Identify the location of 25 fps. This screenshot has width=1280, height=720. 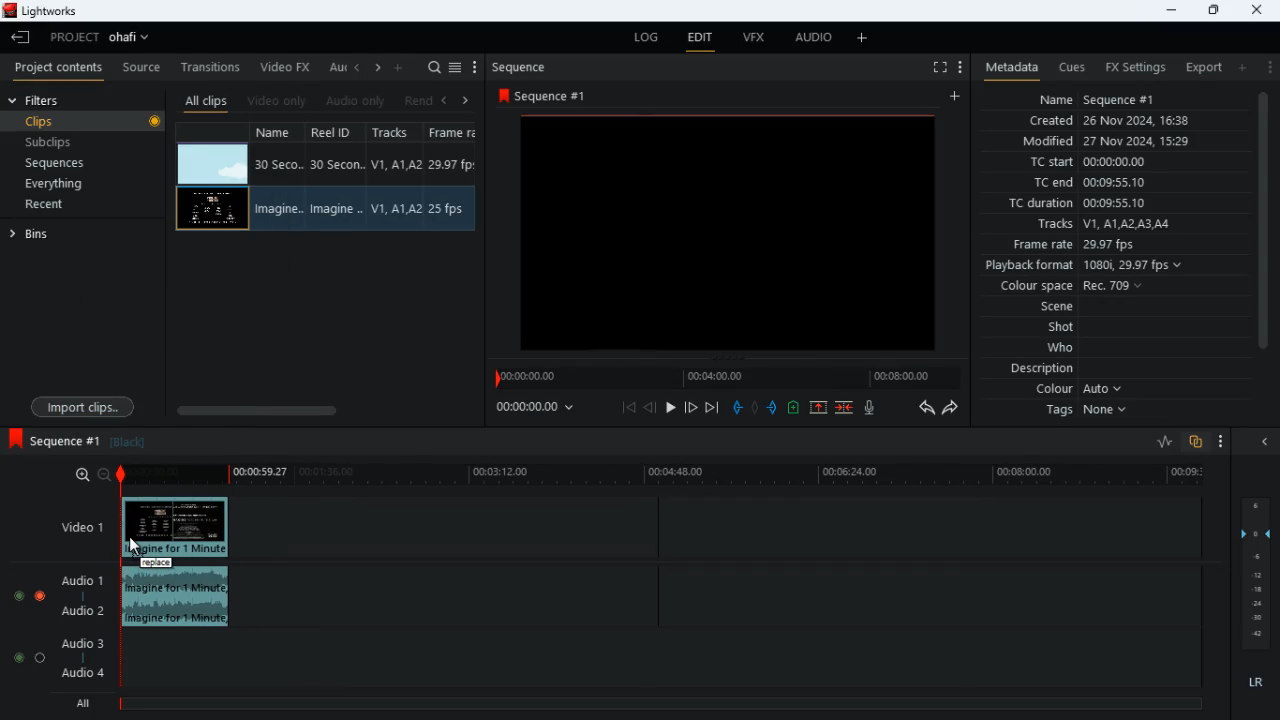
(450, 210).